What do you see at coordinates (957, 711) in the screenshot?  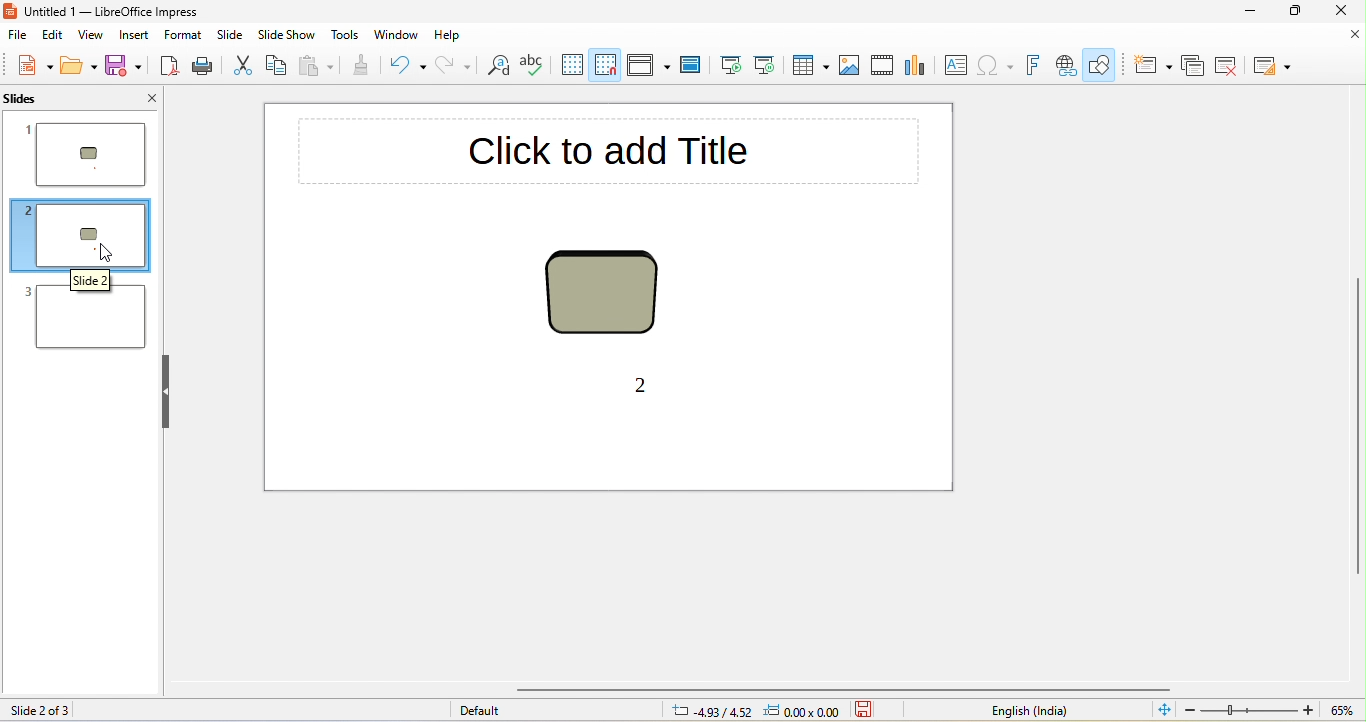 I see `text language` at bounding box center [957, 711].